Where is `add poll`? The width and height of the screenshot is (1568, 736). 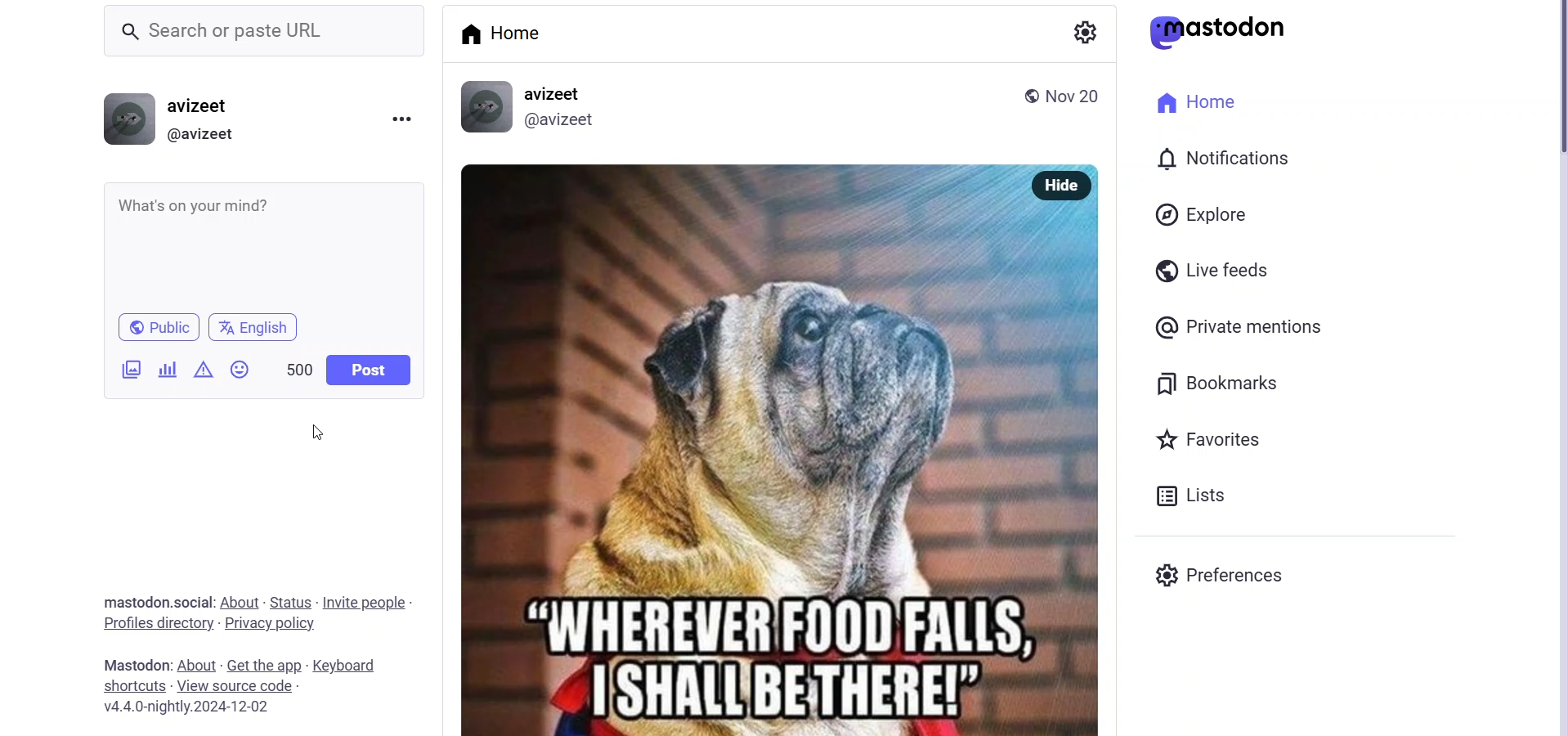
add poll is located at coordinates (167, 368).